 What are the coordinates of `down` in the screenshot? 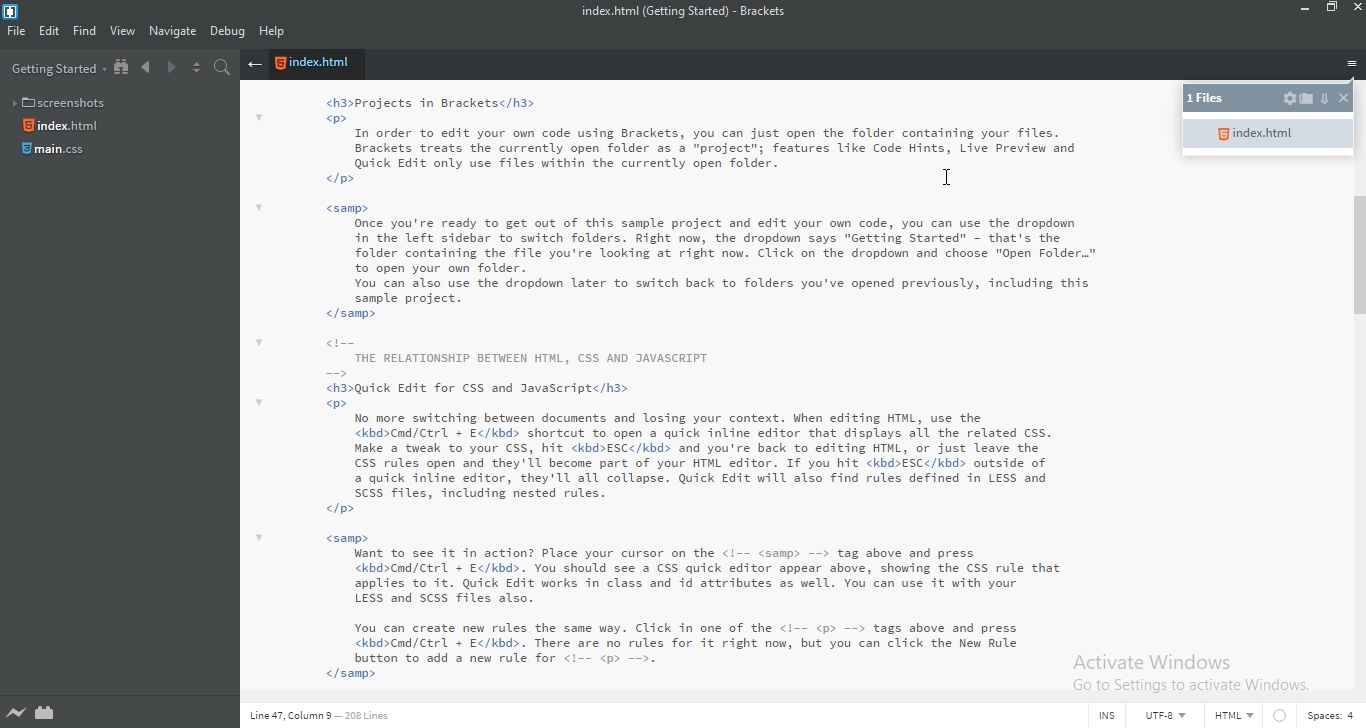 It's located at (1326, 96).